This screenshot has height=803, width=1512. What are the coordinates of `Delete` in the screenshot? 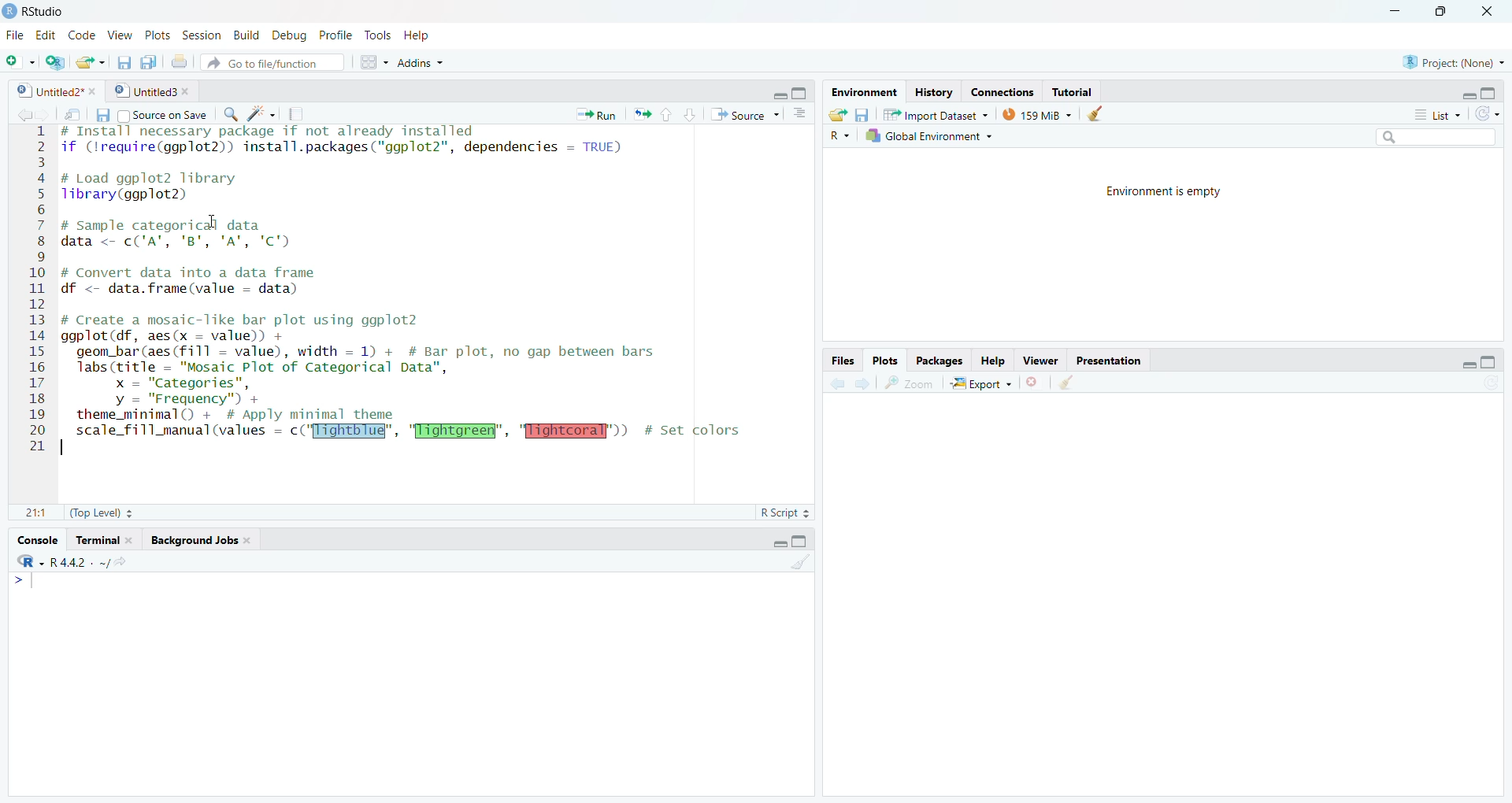 It's located at (1033, 383).